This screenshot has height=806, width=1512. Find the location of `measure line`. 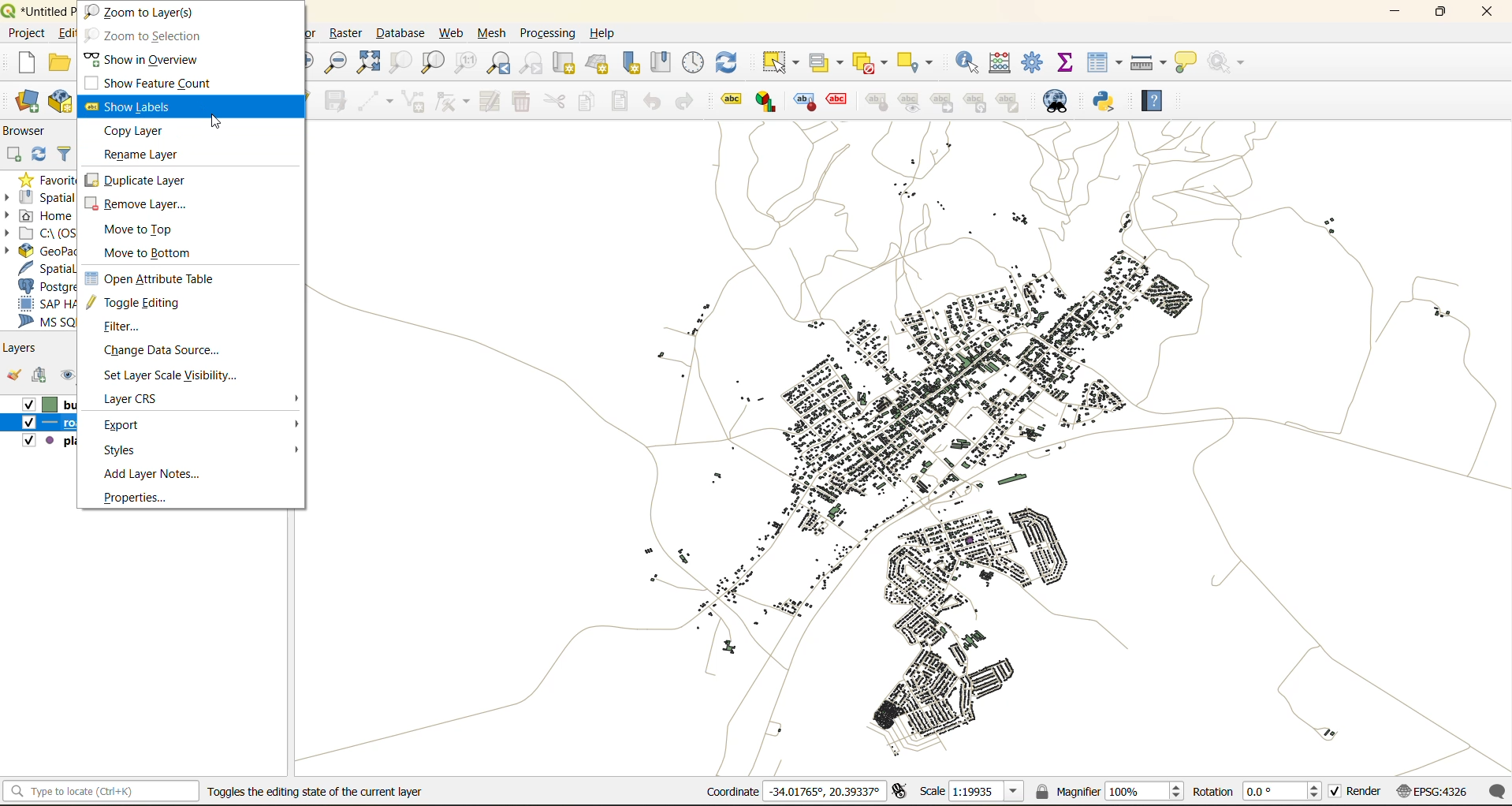

measure line is located at coordinates (1149, 62).